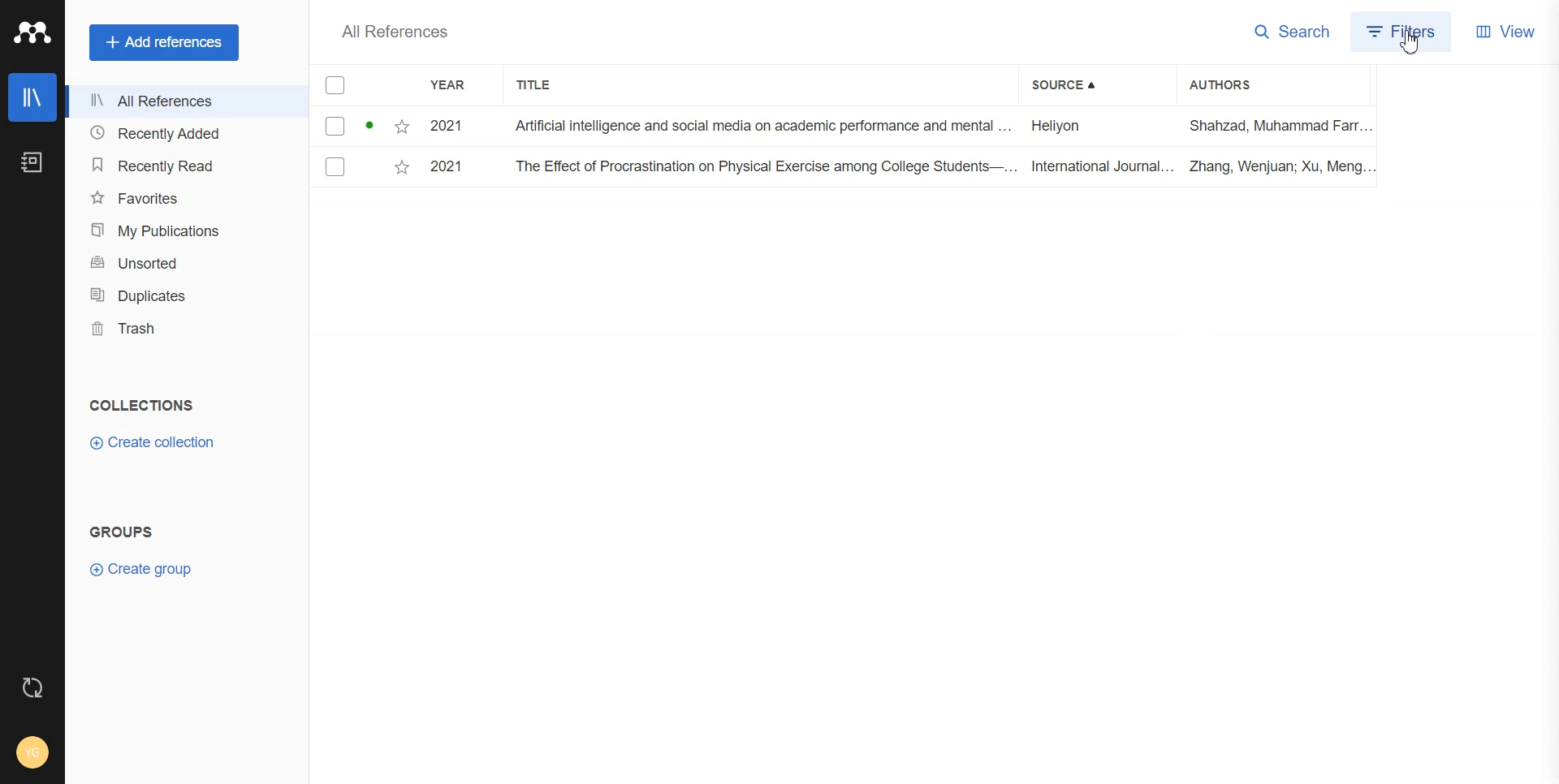  I want to click on Recently Read, so click(175, 164).